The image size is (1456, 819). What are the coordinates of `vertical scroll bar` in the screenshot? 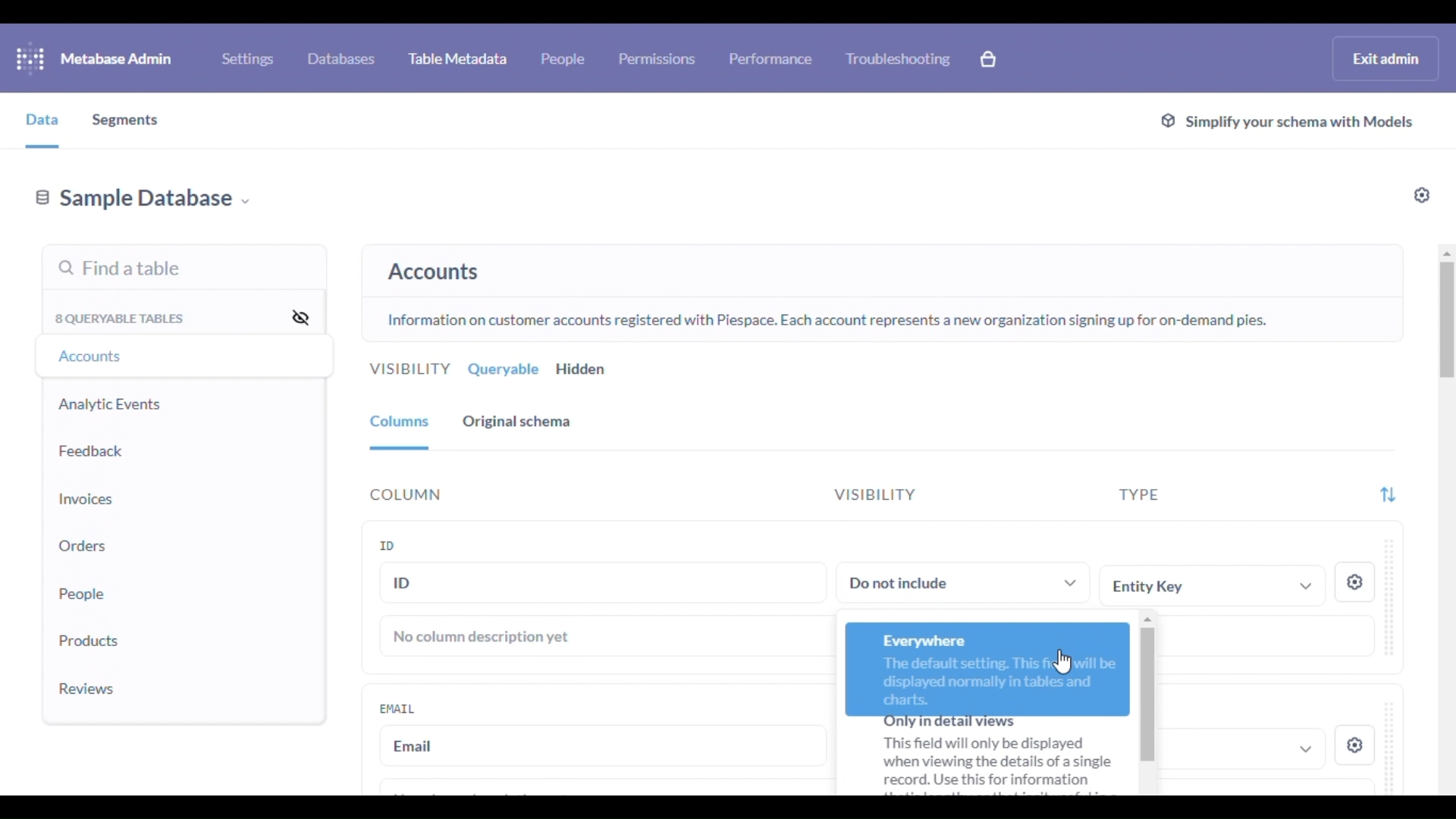 It's located at (1447, 324).